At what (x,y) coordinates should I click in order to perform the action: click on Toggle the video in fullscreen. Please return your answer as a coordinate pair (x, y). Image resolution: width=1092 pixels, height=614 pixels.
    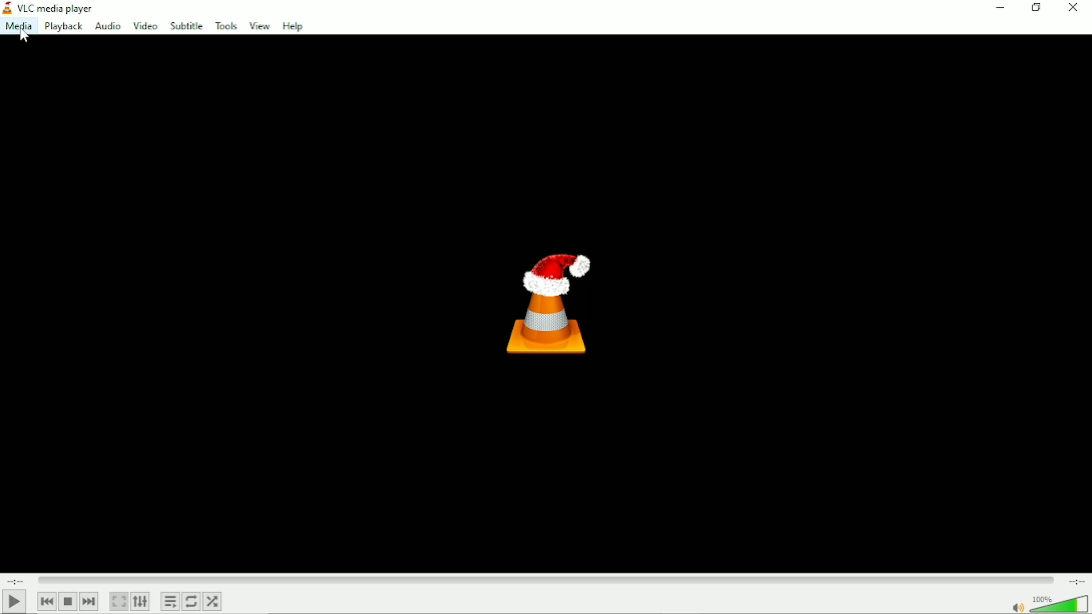
    Looking at the image, I should click on (117, 603).